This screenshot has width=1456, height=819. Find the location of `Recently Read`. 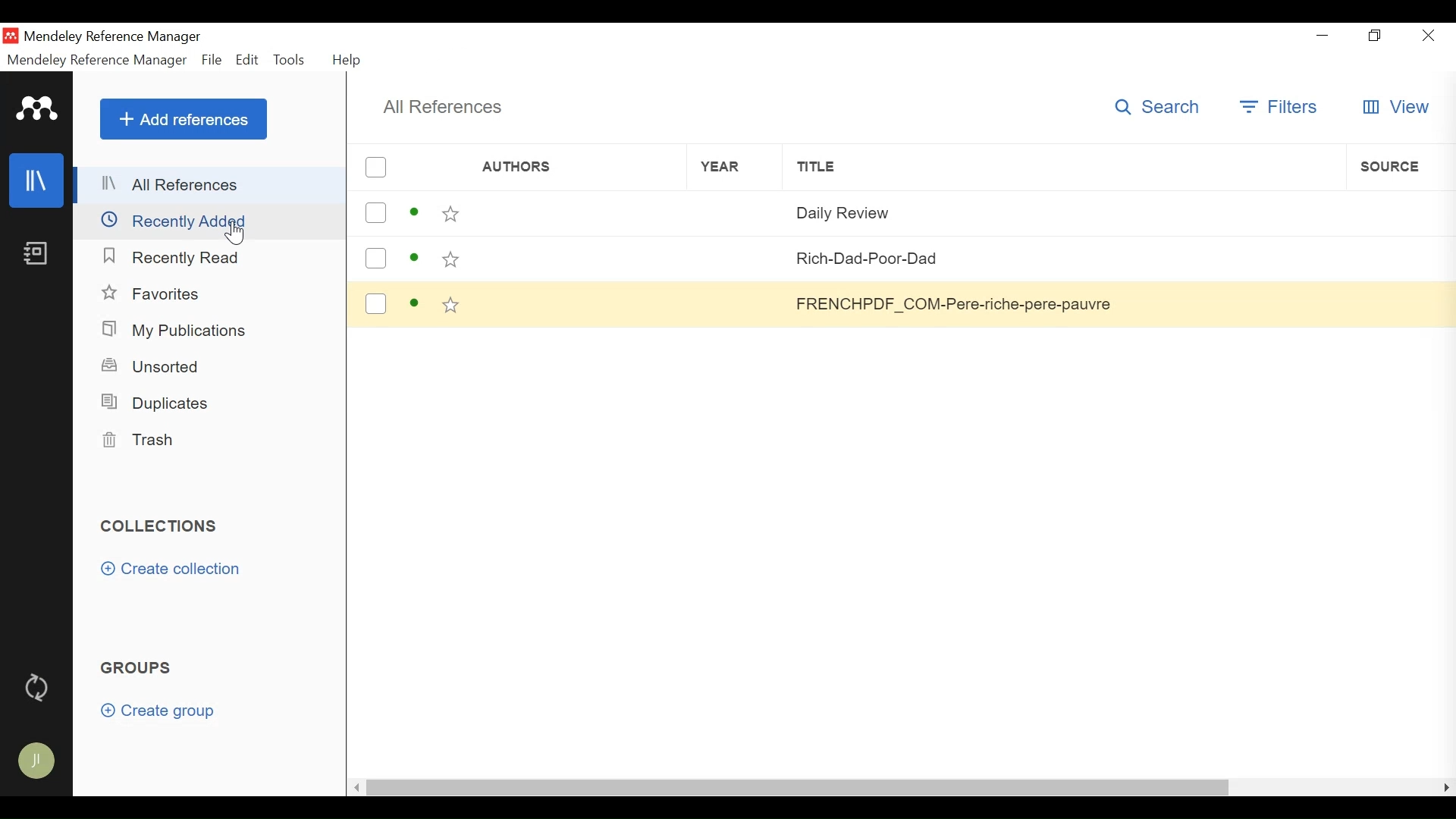

Recently Read is located at coordinates (175, 258).